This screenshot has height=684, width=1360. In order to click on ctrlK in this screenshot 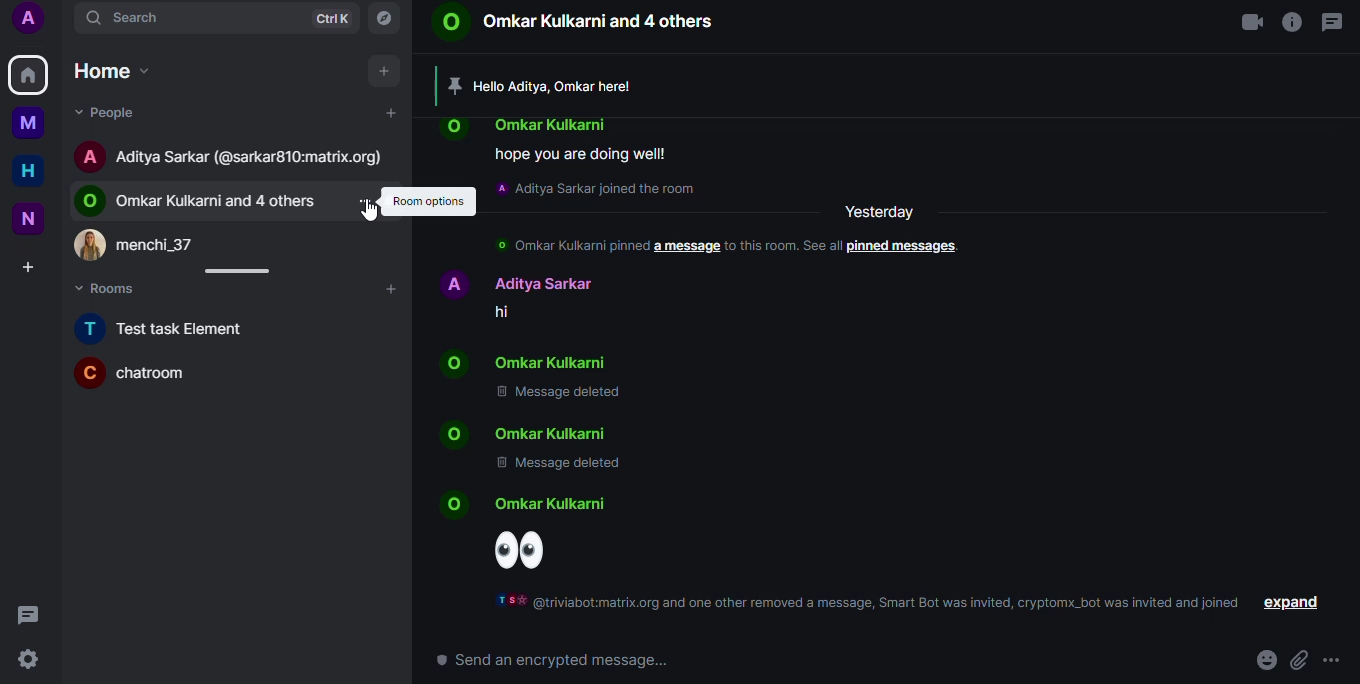, I will do `click(332, 19)`.